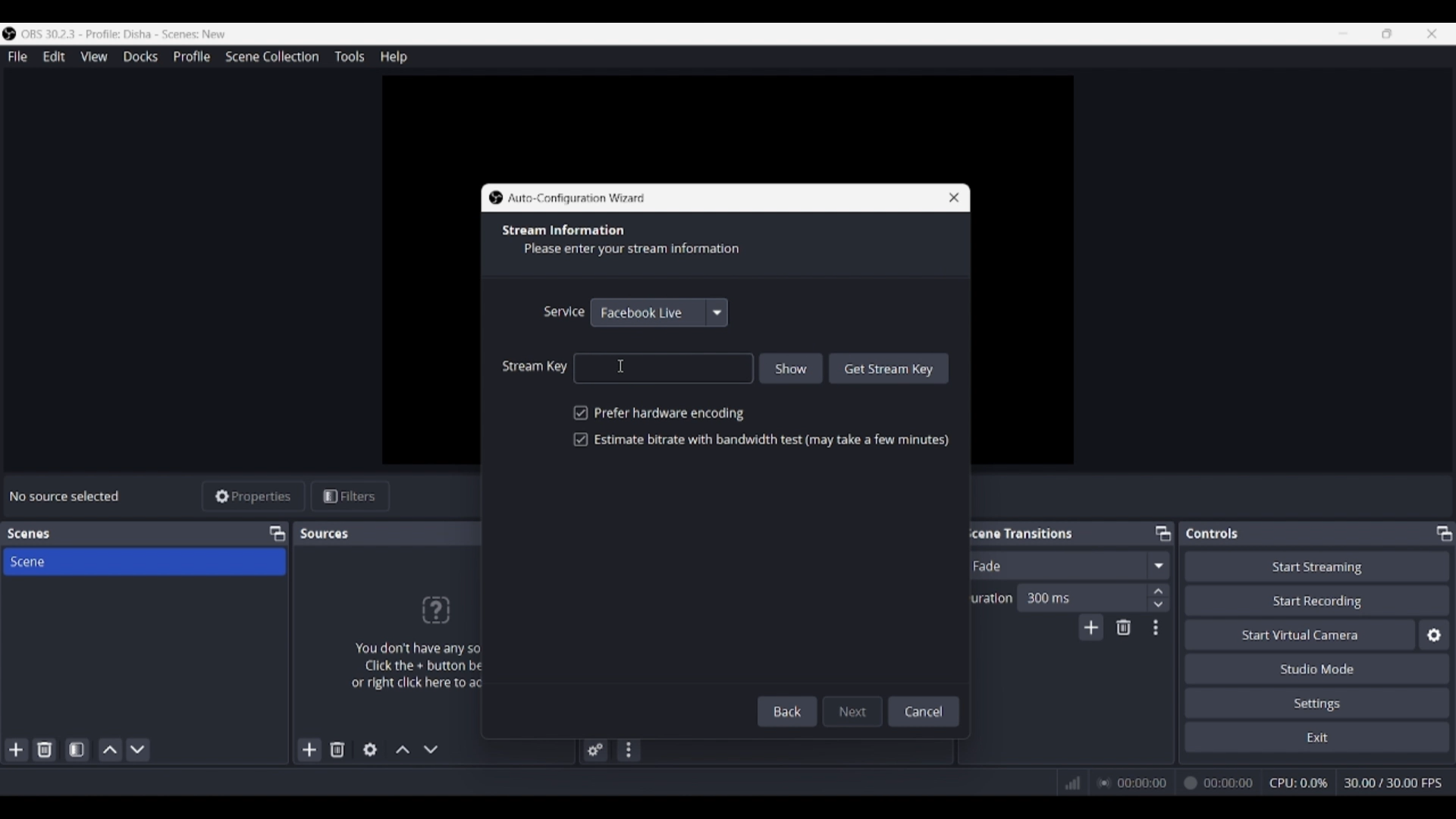 Image resolution: width=1456 pixels, height=819 pixels. Describe the element at coordinates (626, 362) in the screenshot. I see `TEXT CURSOR` at that location.